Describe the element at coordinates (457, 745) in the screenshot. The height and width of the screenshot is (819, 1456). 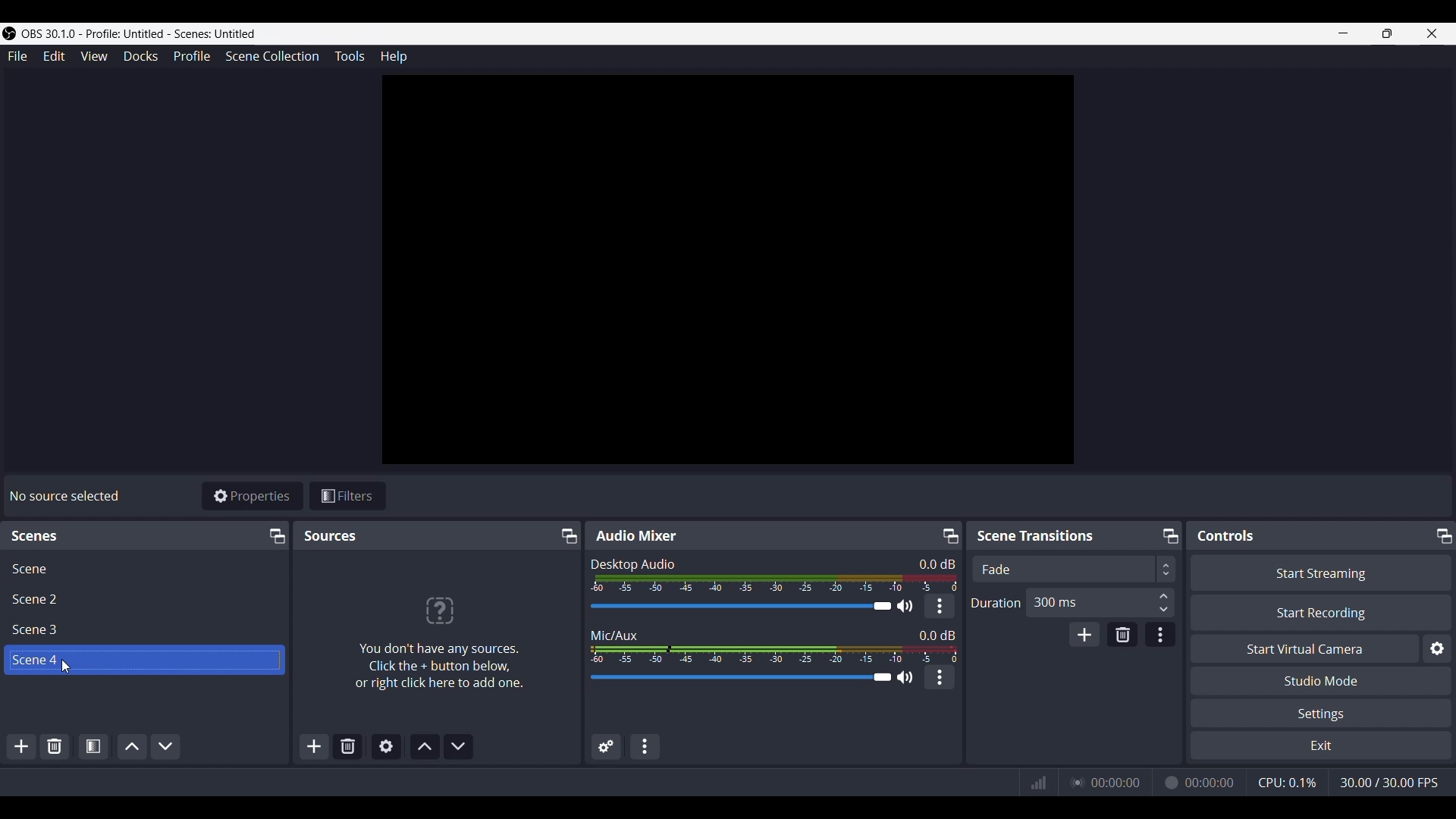
I see `Move source(s) down` at that location.